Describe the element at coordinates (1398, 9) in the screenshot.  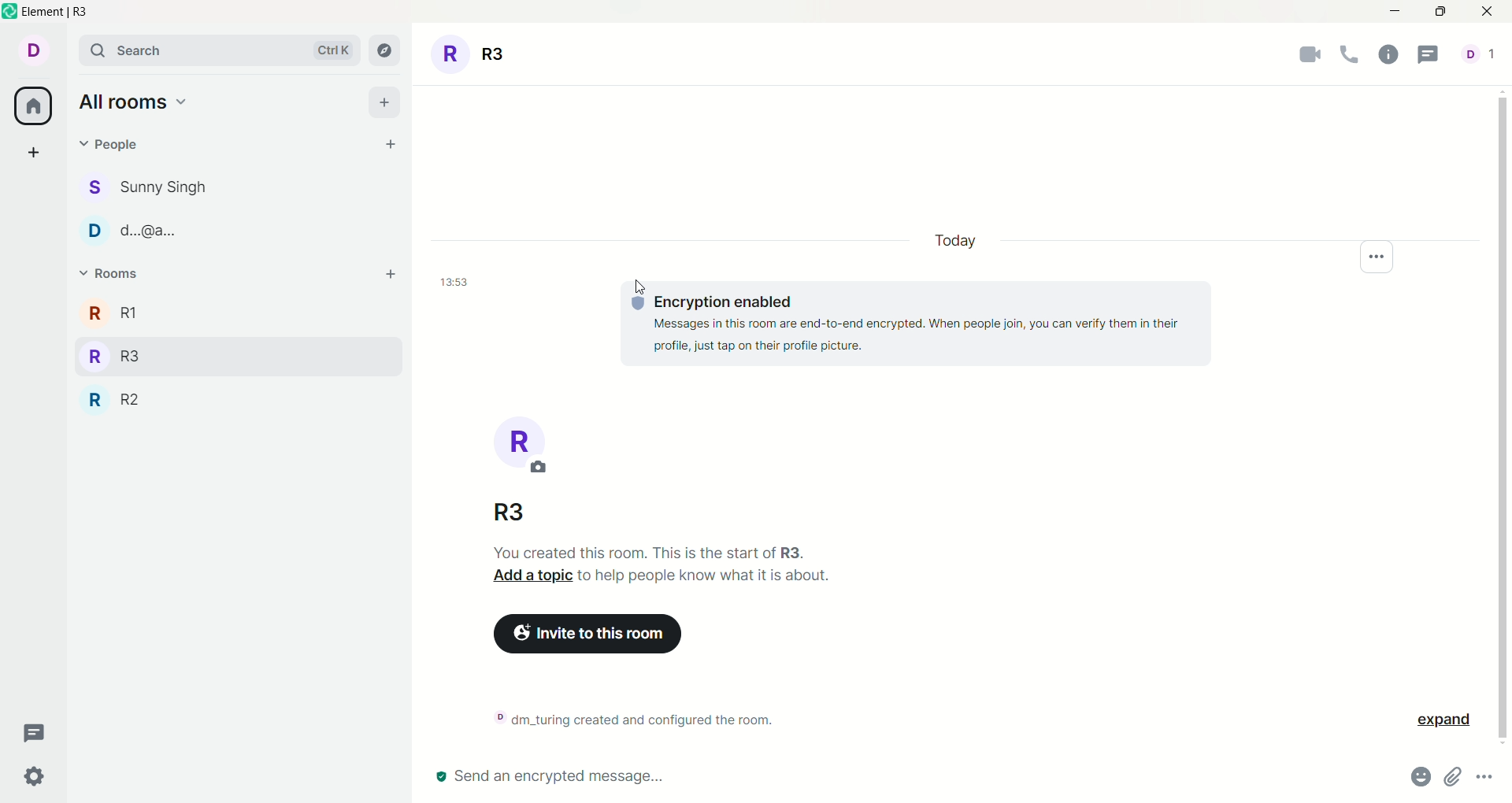
I see `minimize` at that location.